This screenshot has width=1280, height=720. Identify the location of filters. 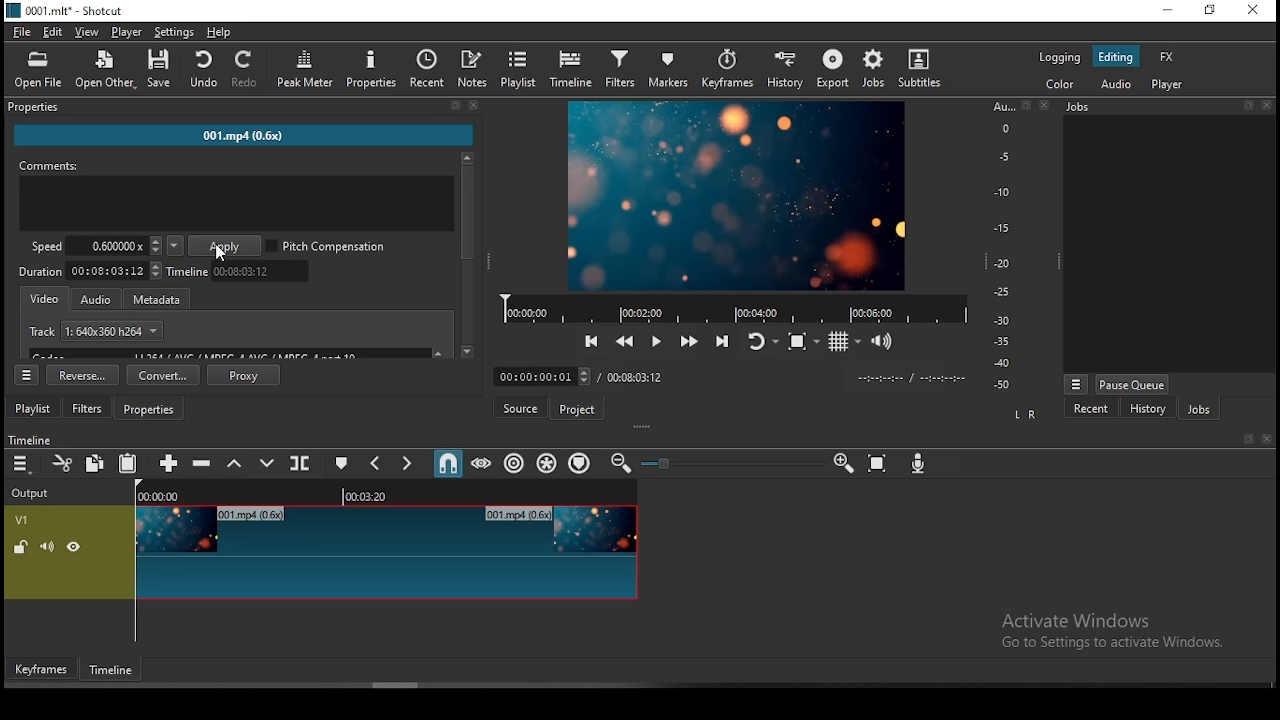
(620, 68).